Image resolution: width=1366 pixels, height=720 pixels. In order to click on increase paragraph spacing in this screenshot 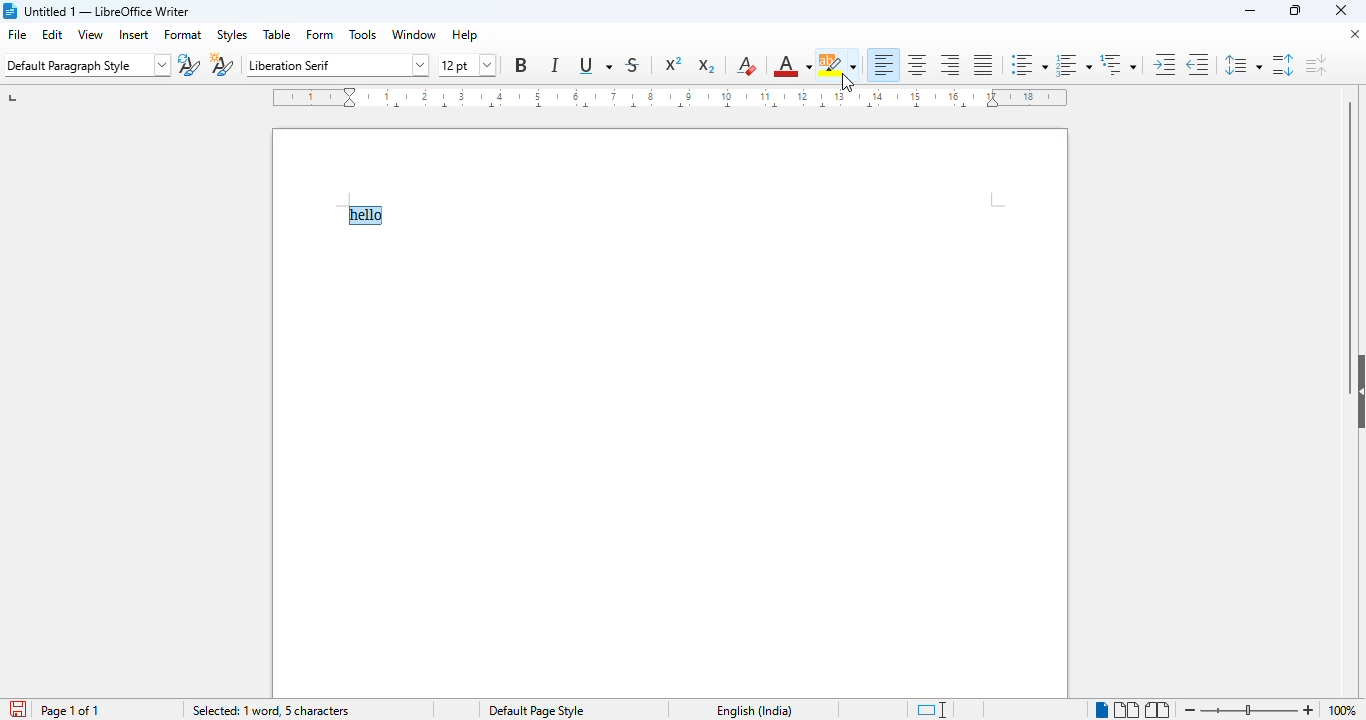, I will do `click(1281, 65)`.